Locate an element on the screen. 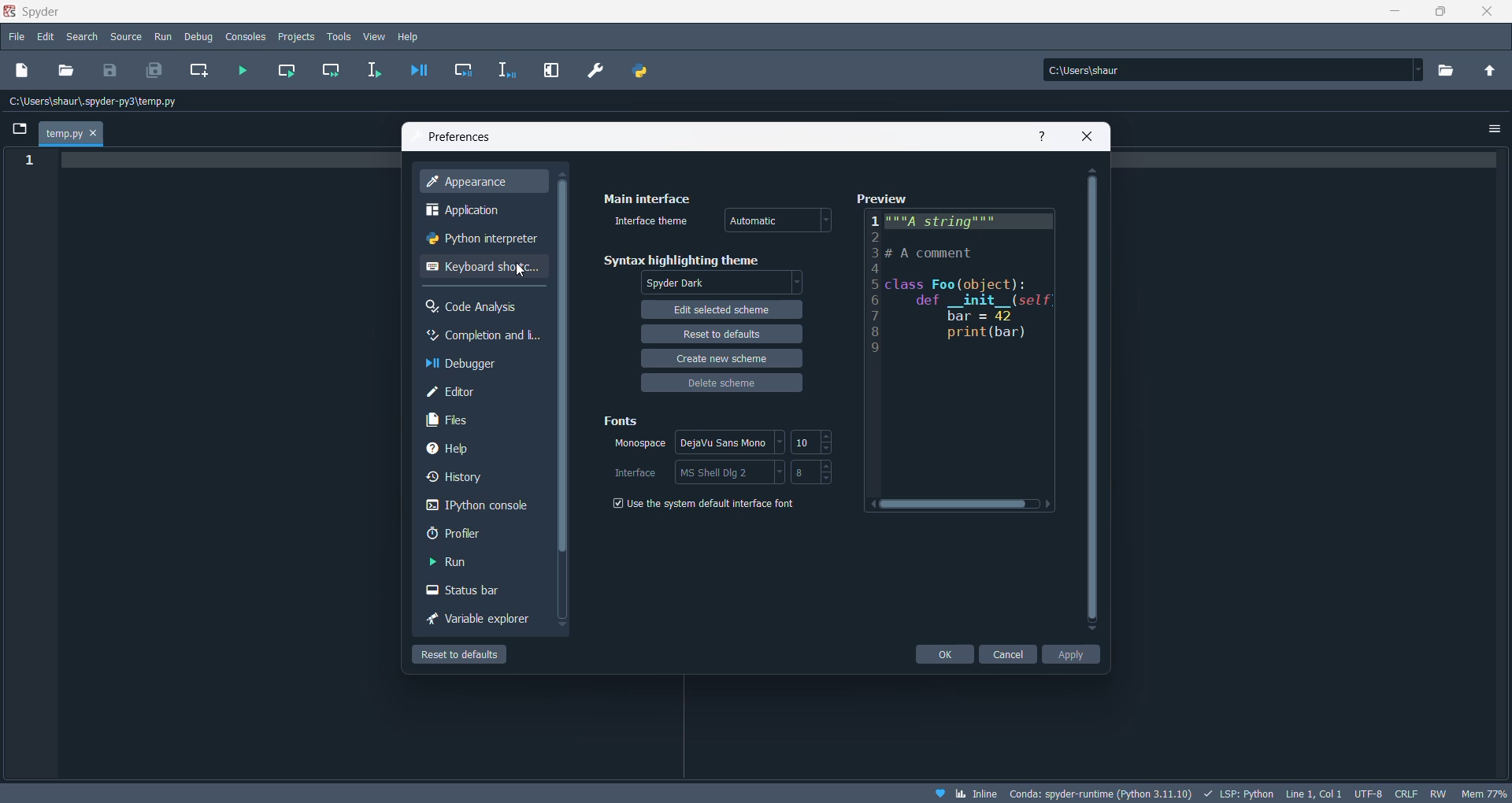 The width and height of the screenshot is (1512, 803). path is located at coordinates (1226, 69).